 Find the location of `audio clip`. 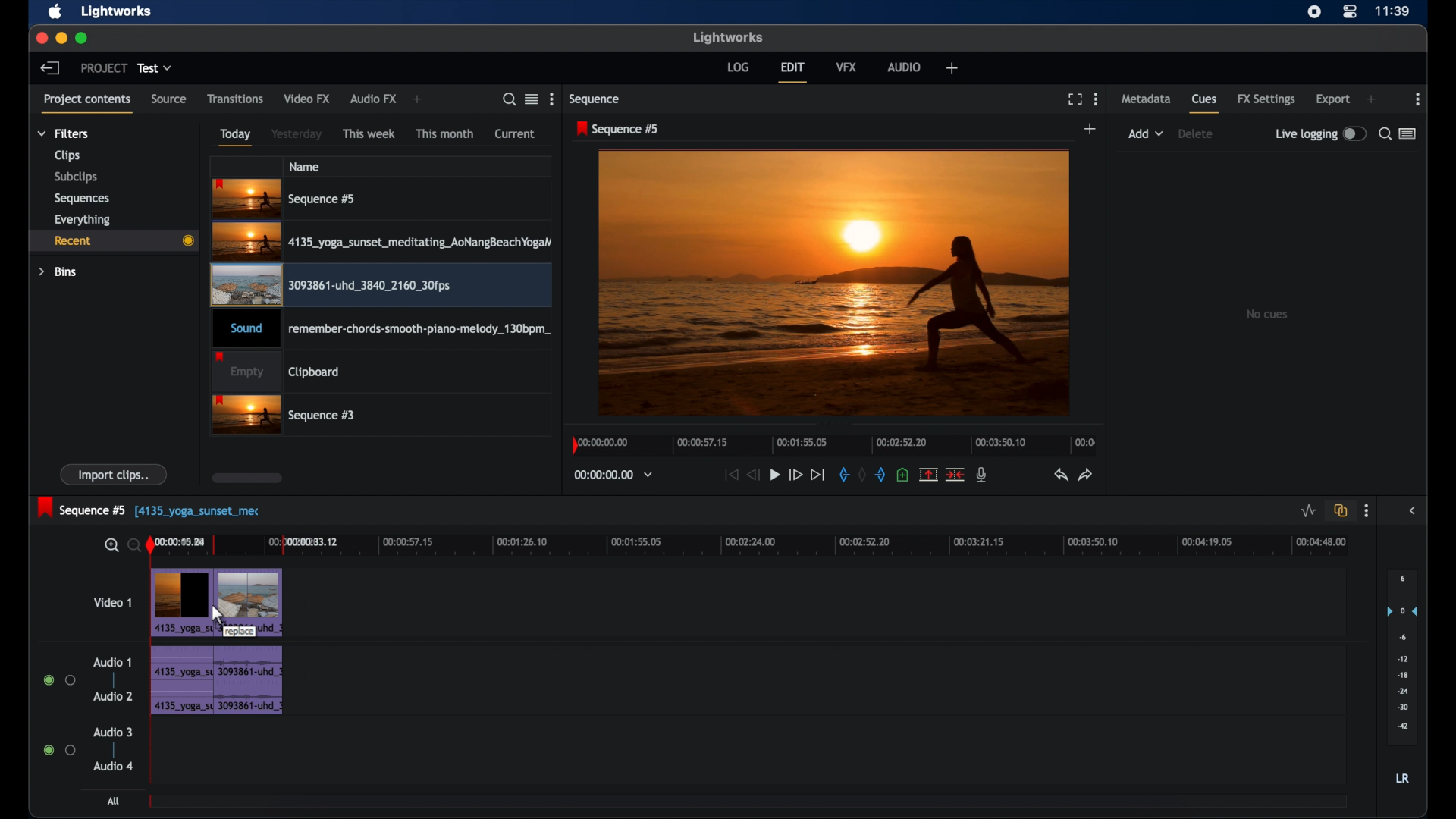

audio clip is located at coordinates (252, 679).